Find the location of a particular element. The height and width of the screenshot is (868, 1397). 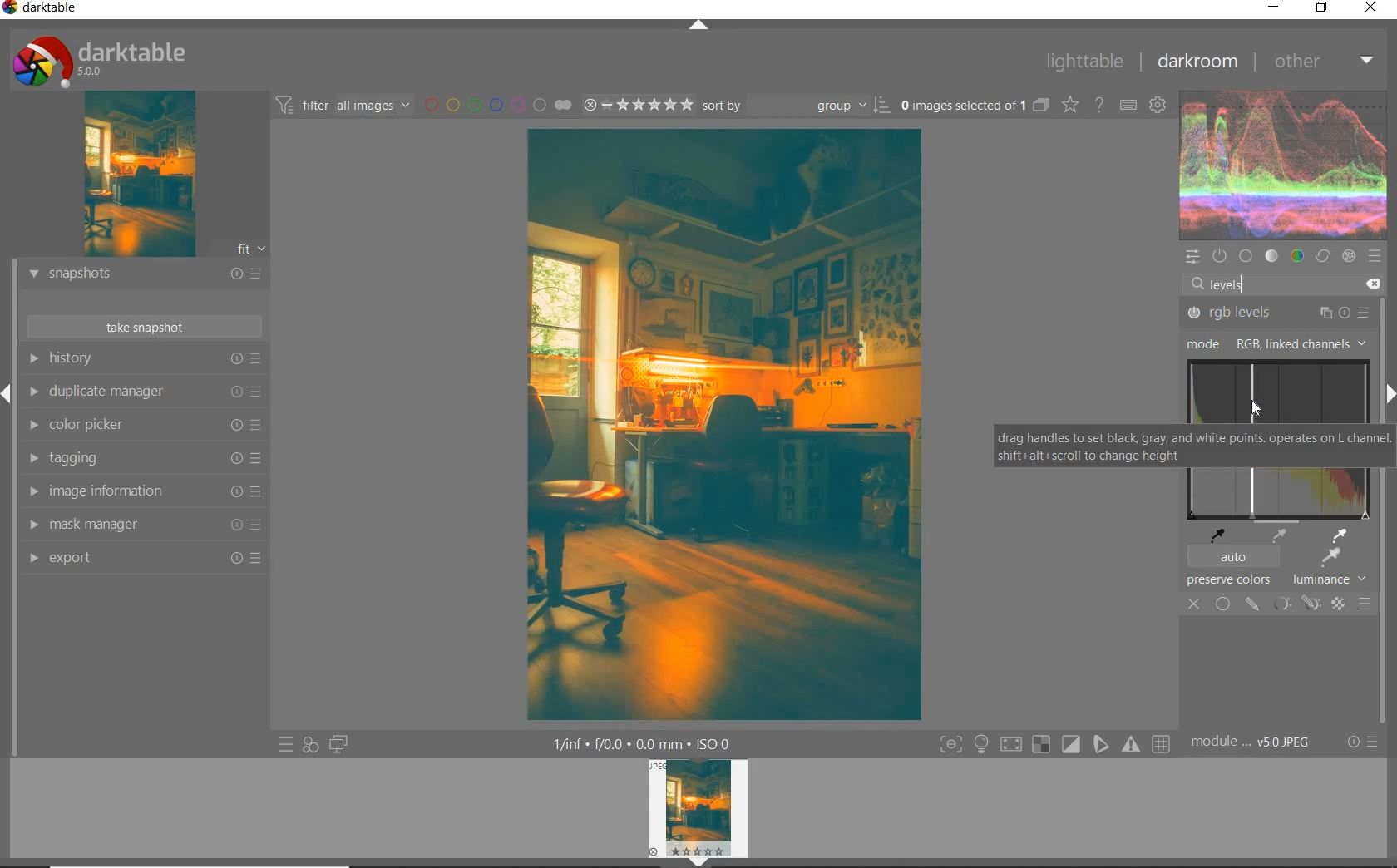

effect is located at coordinates (1350, 257).